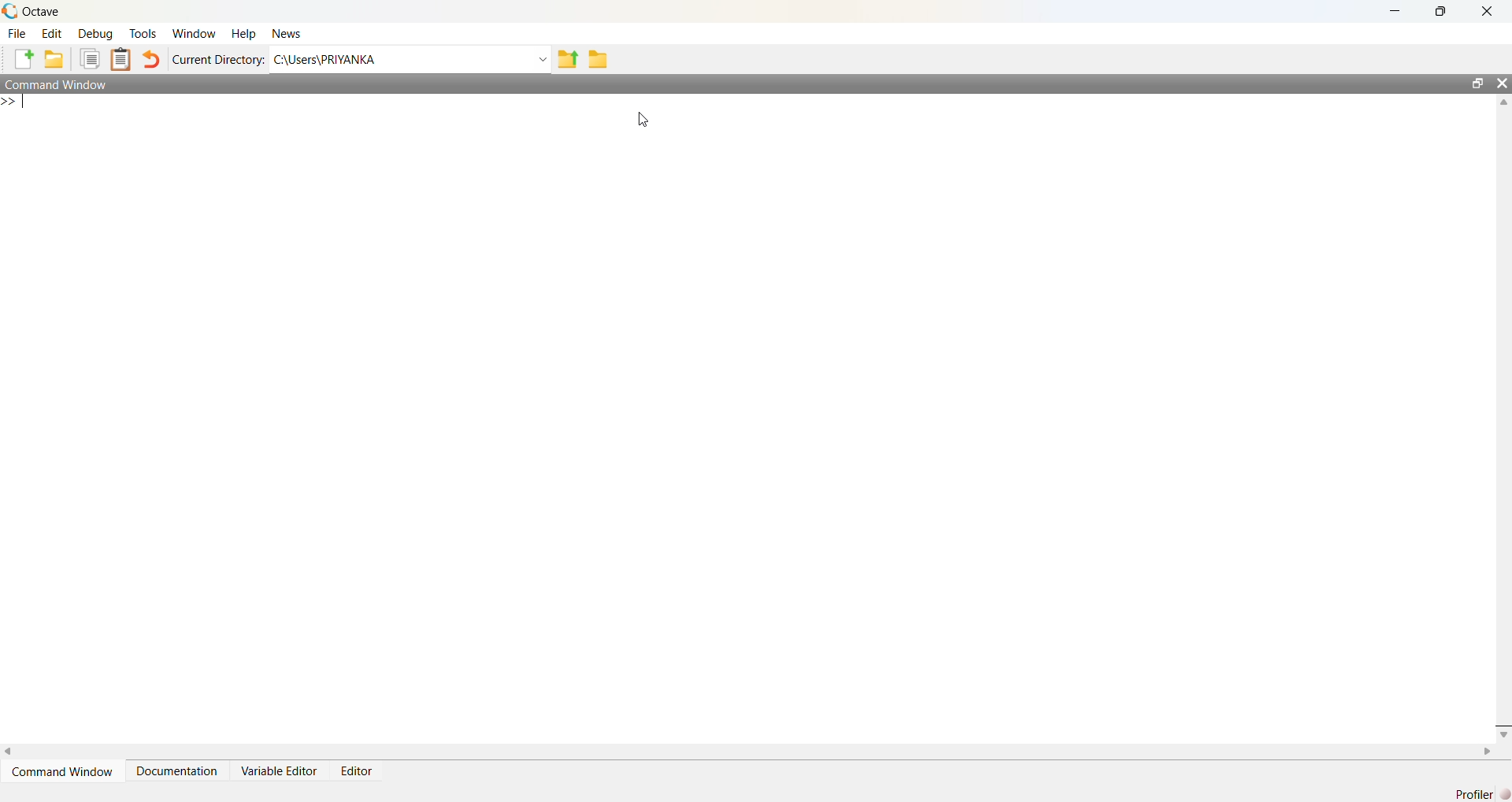  Describe the element at coordinates (14, 102) in the screenshot. I see `new line` at that location.